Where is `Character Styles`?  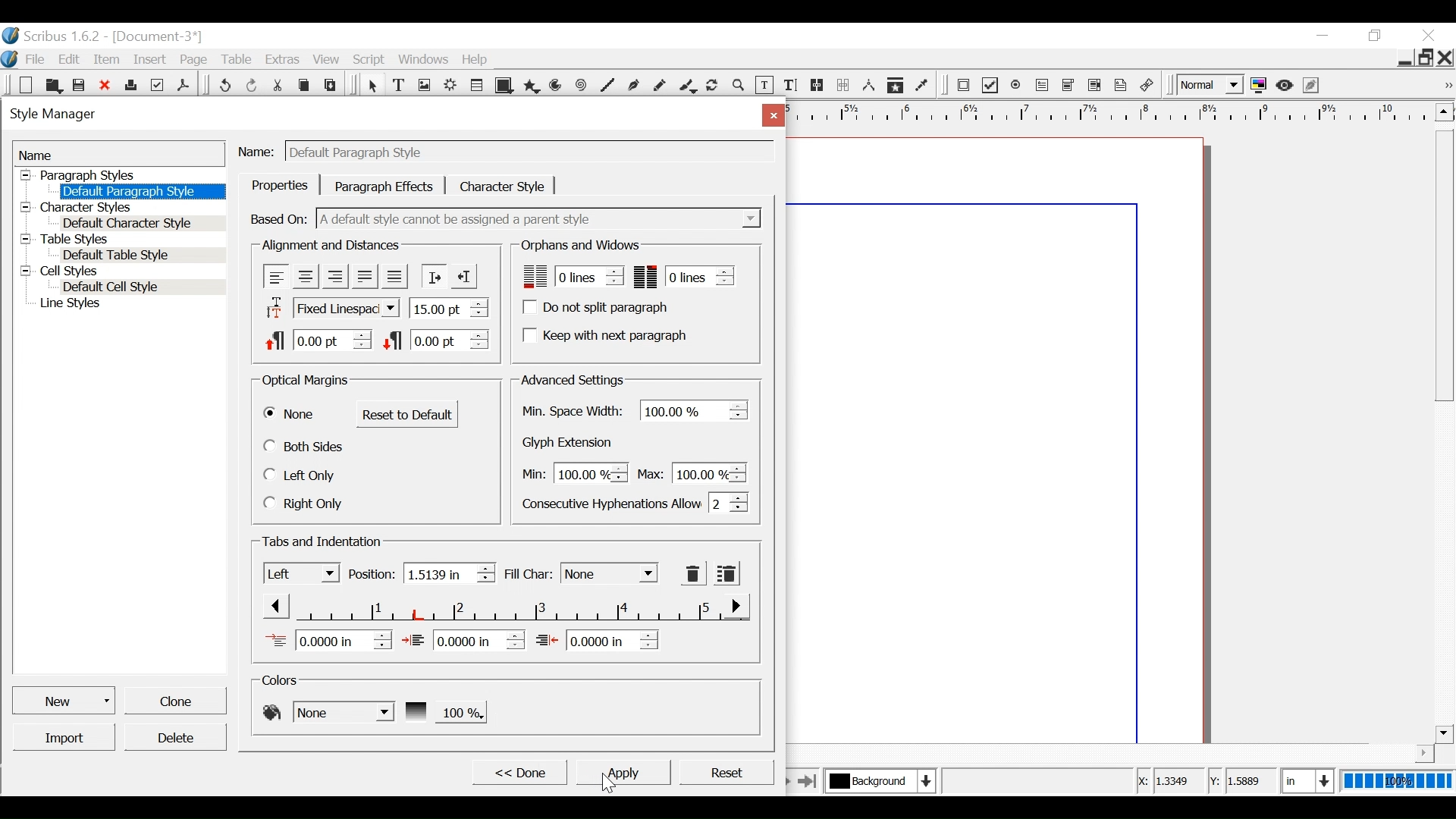
Character Styles is located at coordinates (120, 208).